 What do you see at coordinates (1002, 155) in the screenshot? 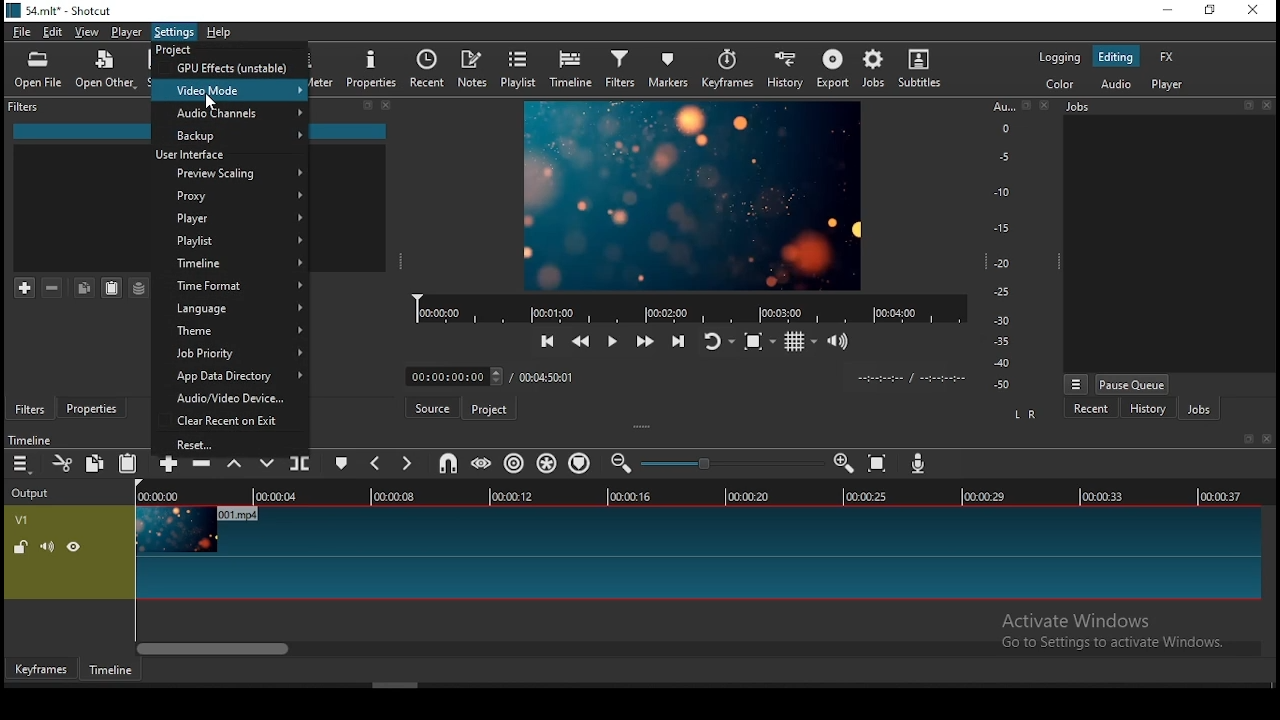
I see `-5` at bounding box center [1002, 155].